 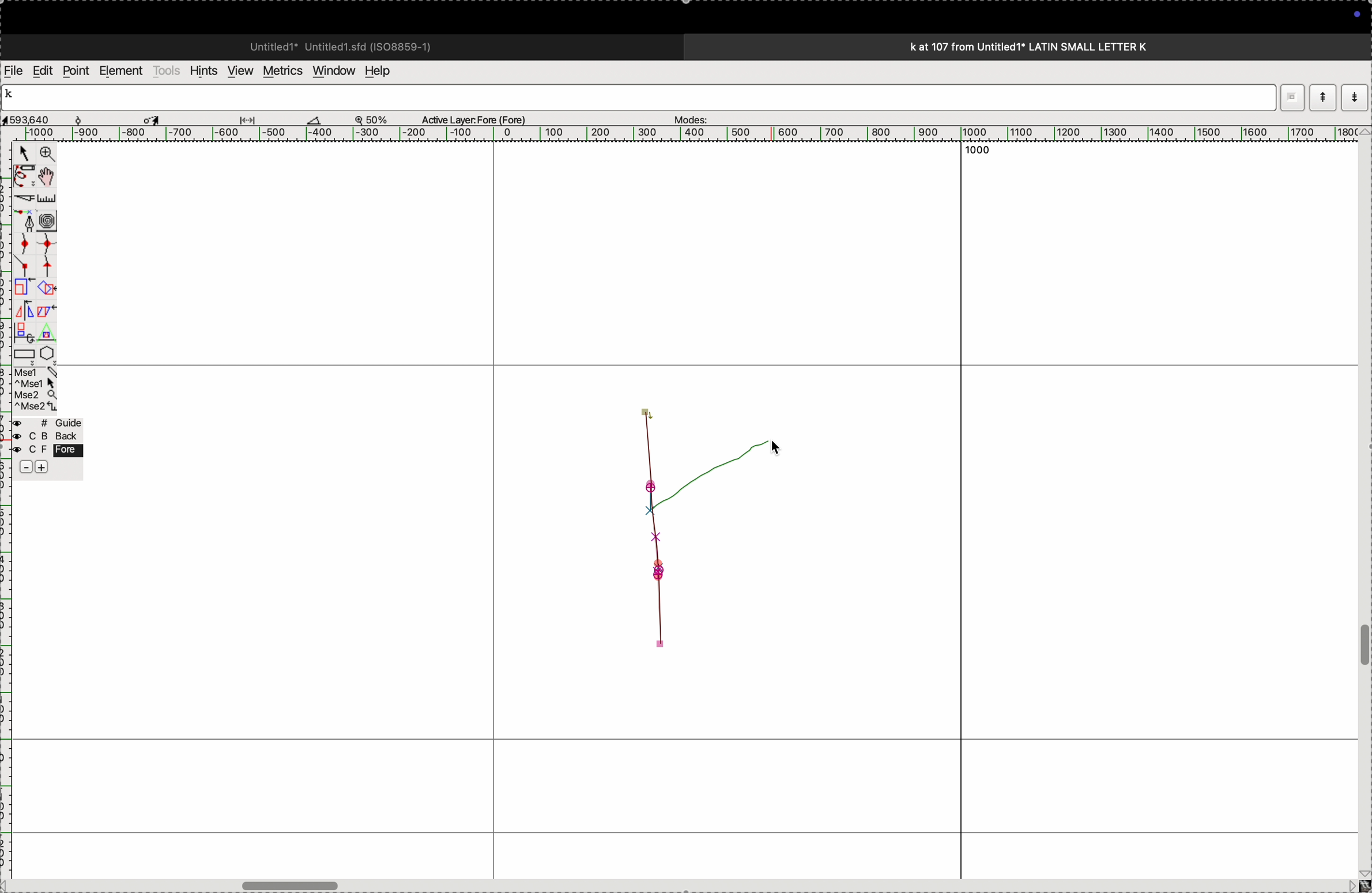 What do you see at coordinates (1290, 92) in the screenshot?
I see `restore down` at bounding box center [1290, 92].